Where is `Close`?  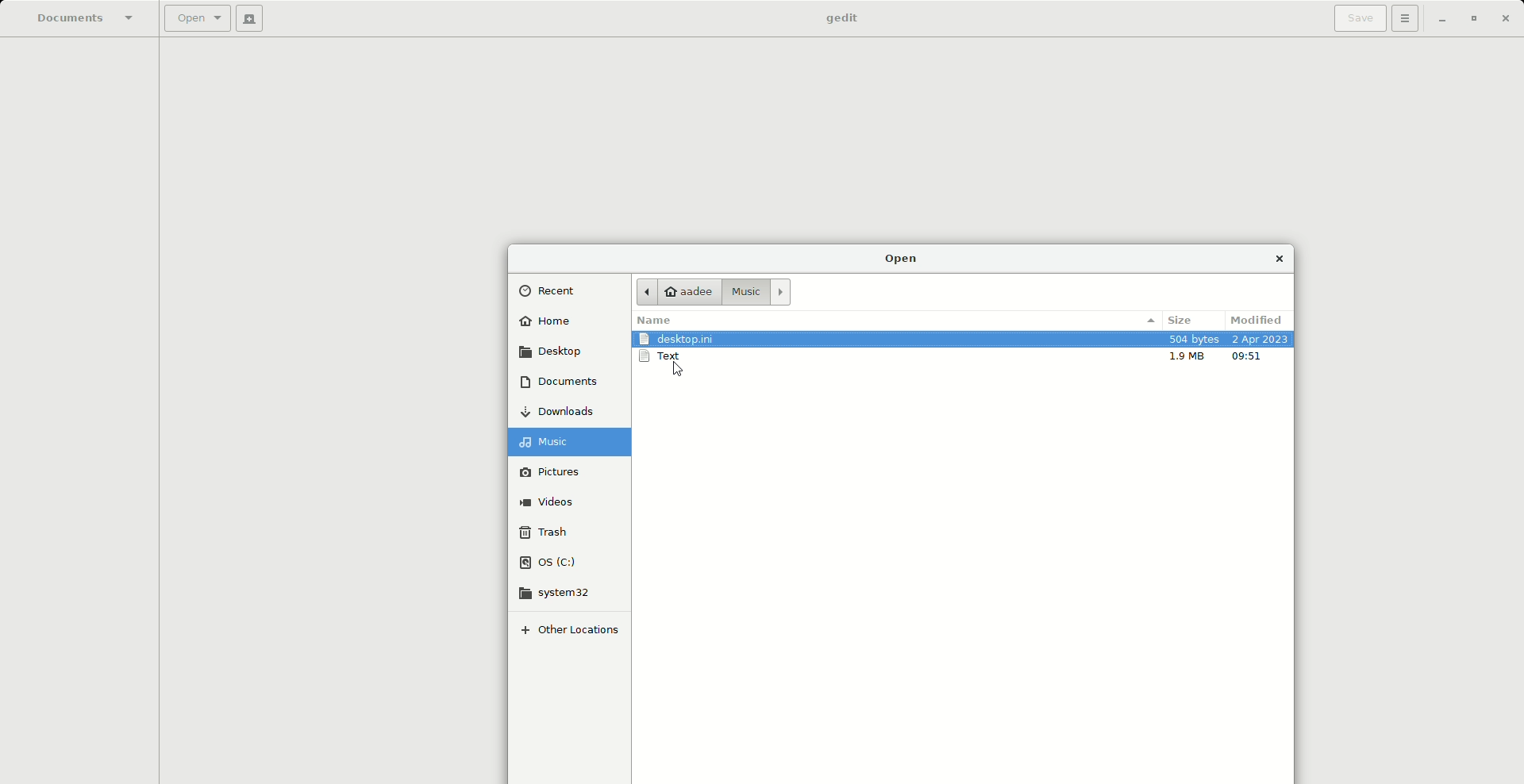 Close is located at coordinates (1285, 259).